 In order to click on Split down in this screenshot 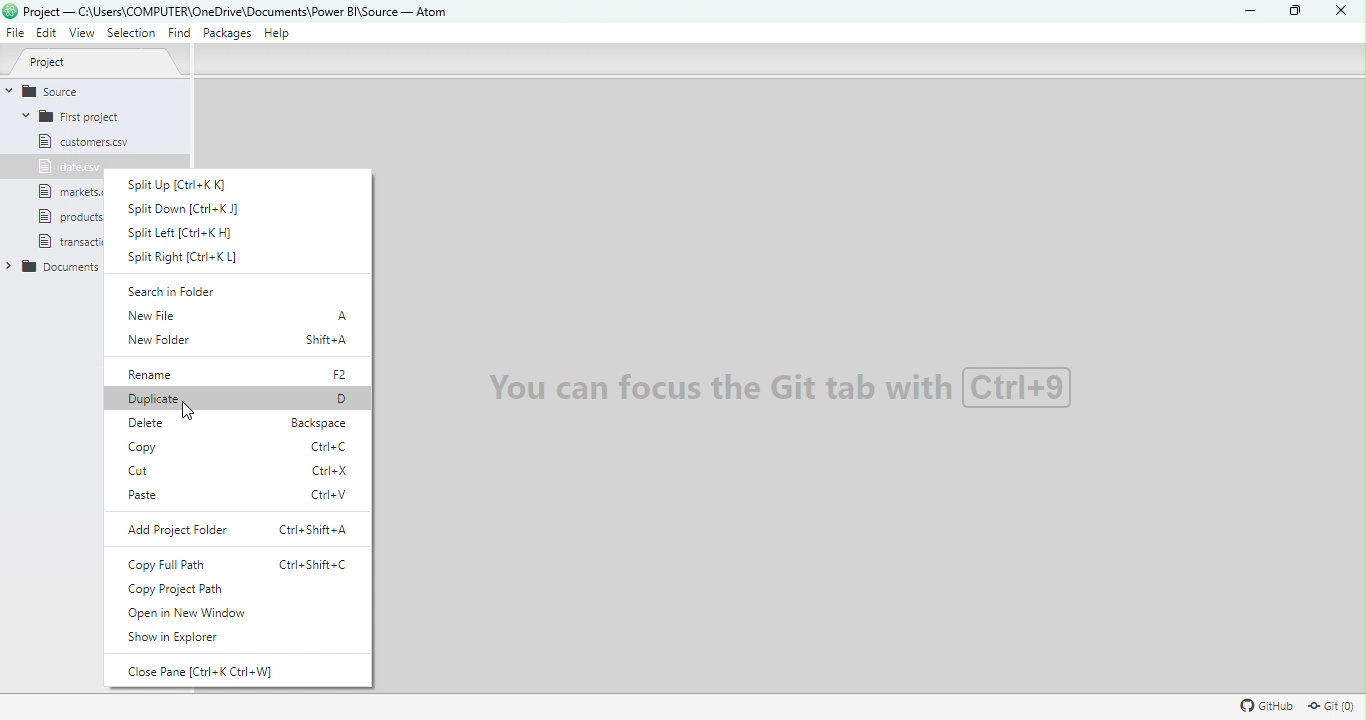, I will do `click(191, 208)`.